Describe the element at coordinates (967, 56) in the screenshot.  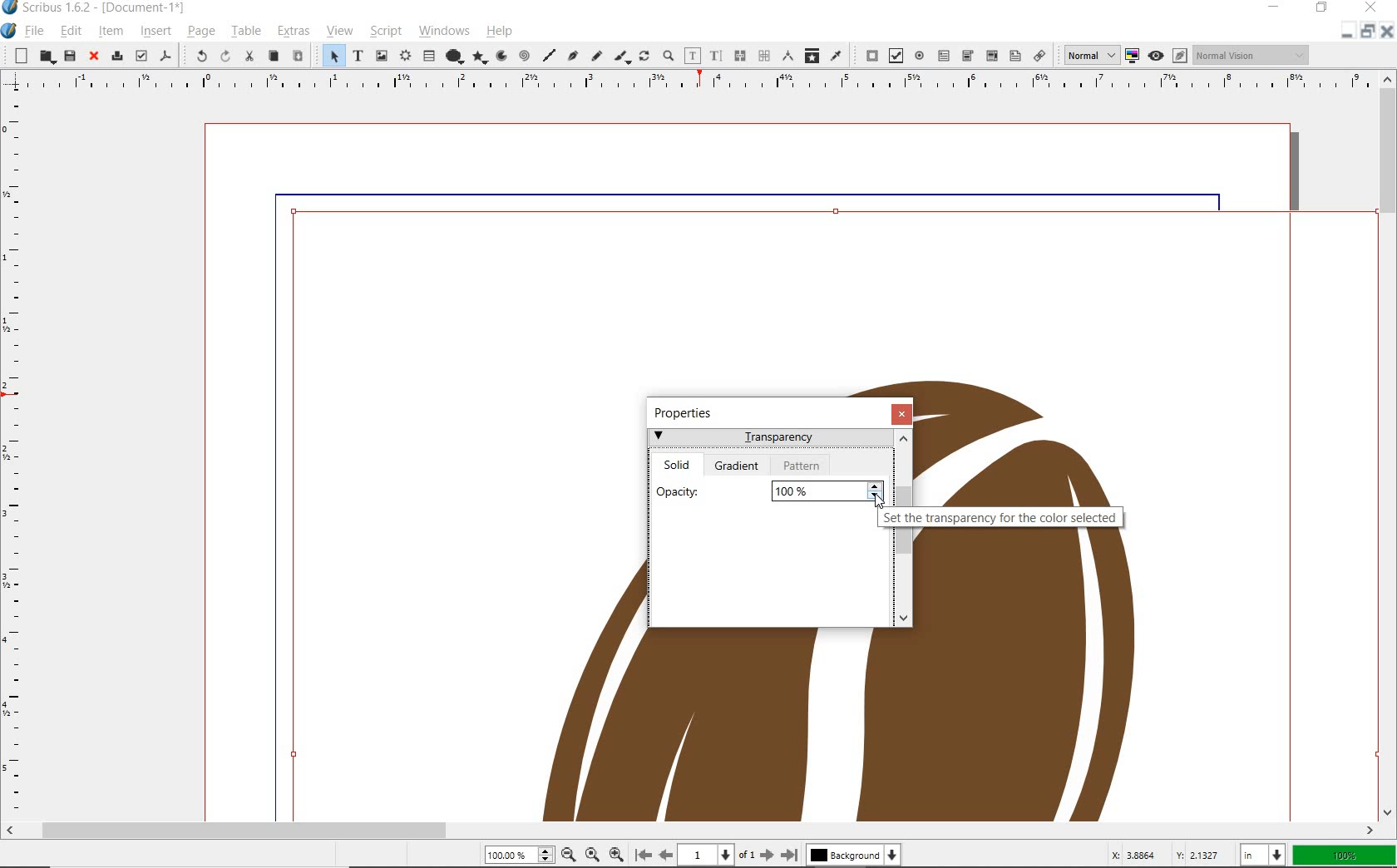
I see `pdf combo box` at that location.